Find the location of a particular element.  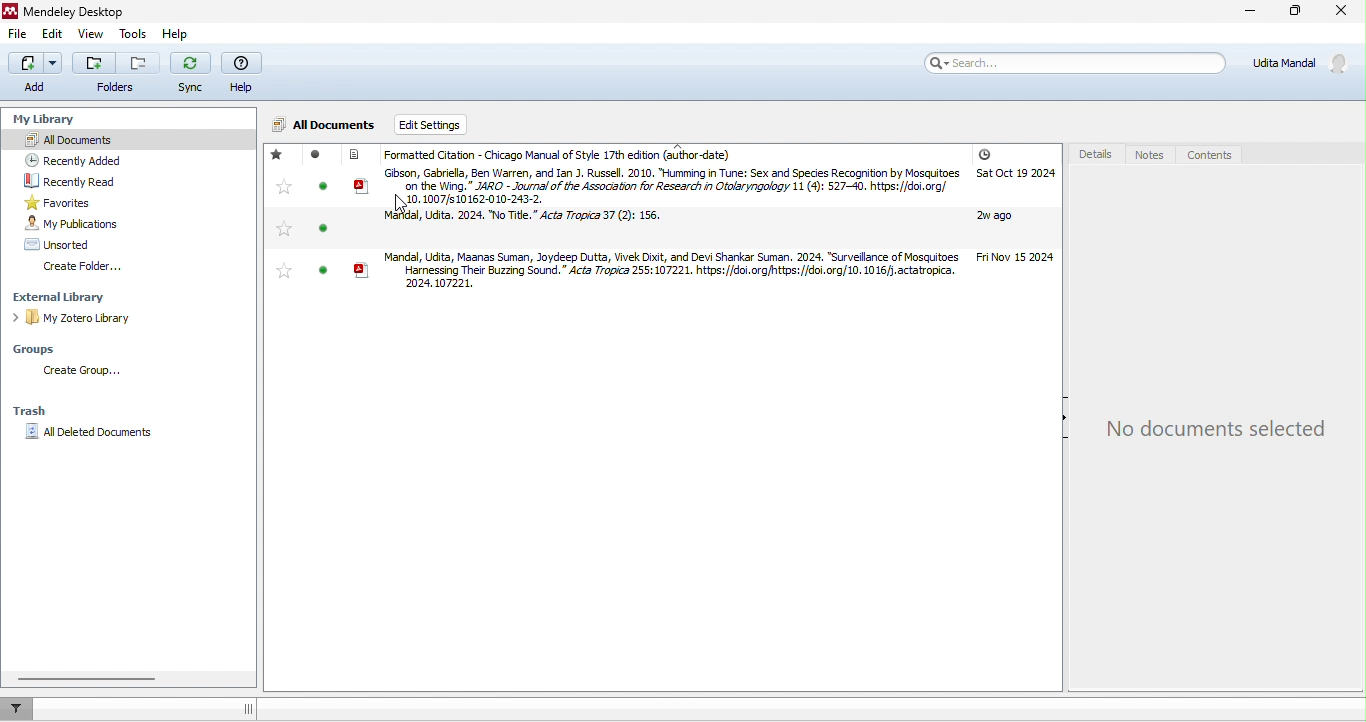

file is located at coordinates (22, 37).